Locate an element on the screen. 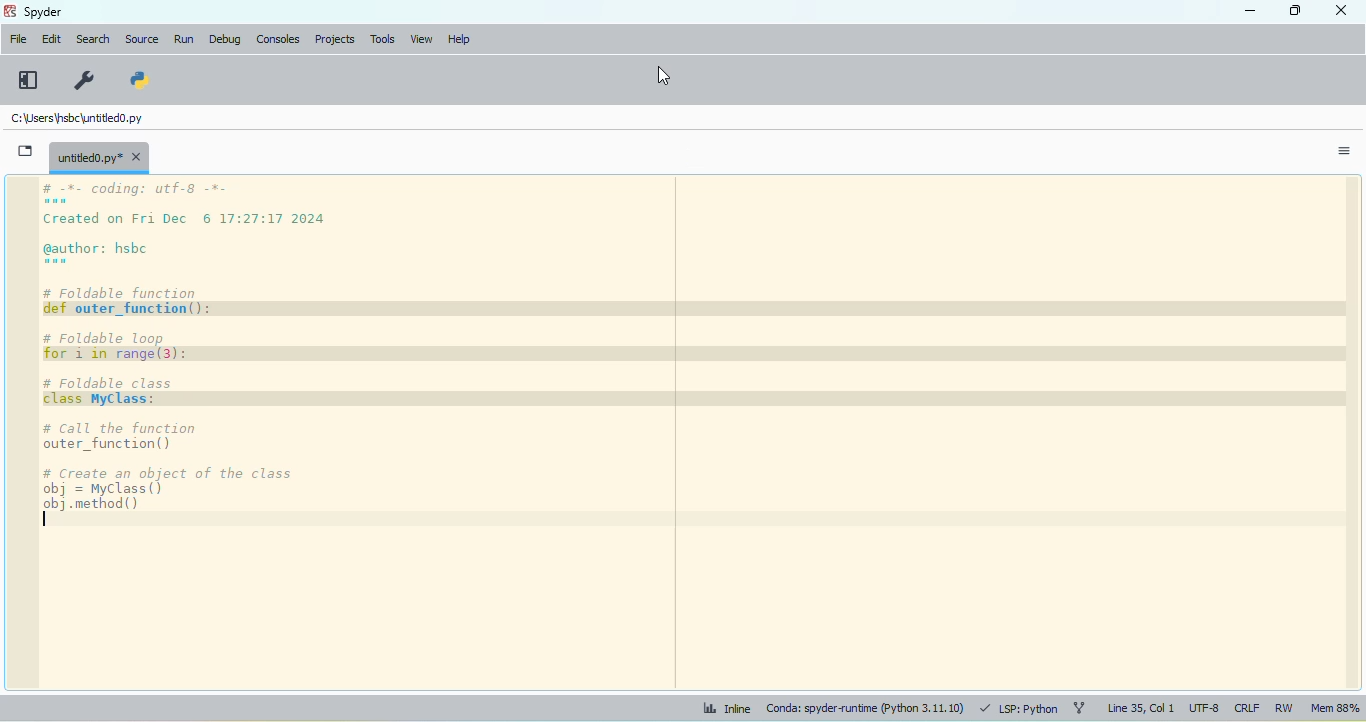 This screenshot has height=722, width=1366. cursor is located at coordinates (104, 102).